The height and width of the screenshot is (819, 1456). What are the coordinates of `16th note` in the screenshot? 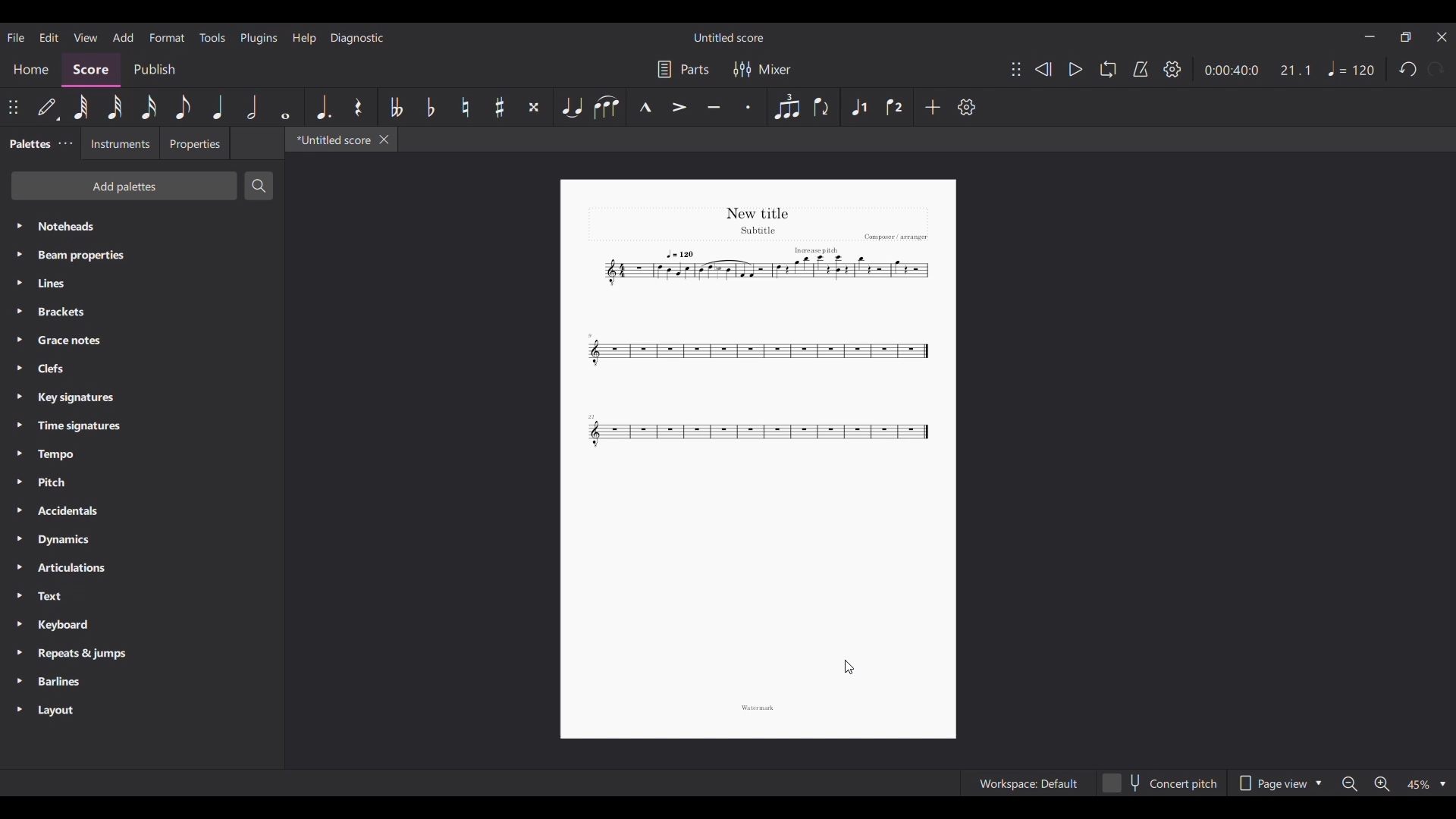 It's located at (149, 107).